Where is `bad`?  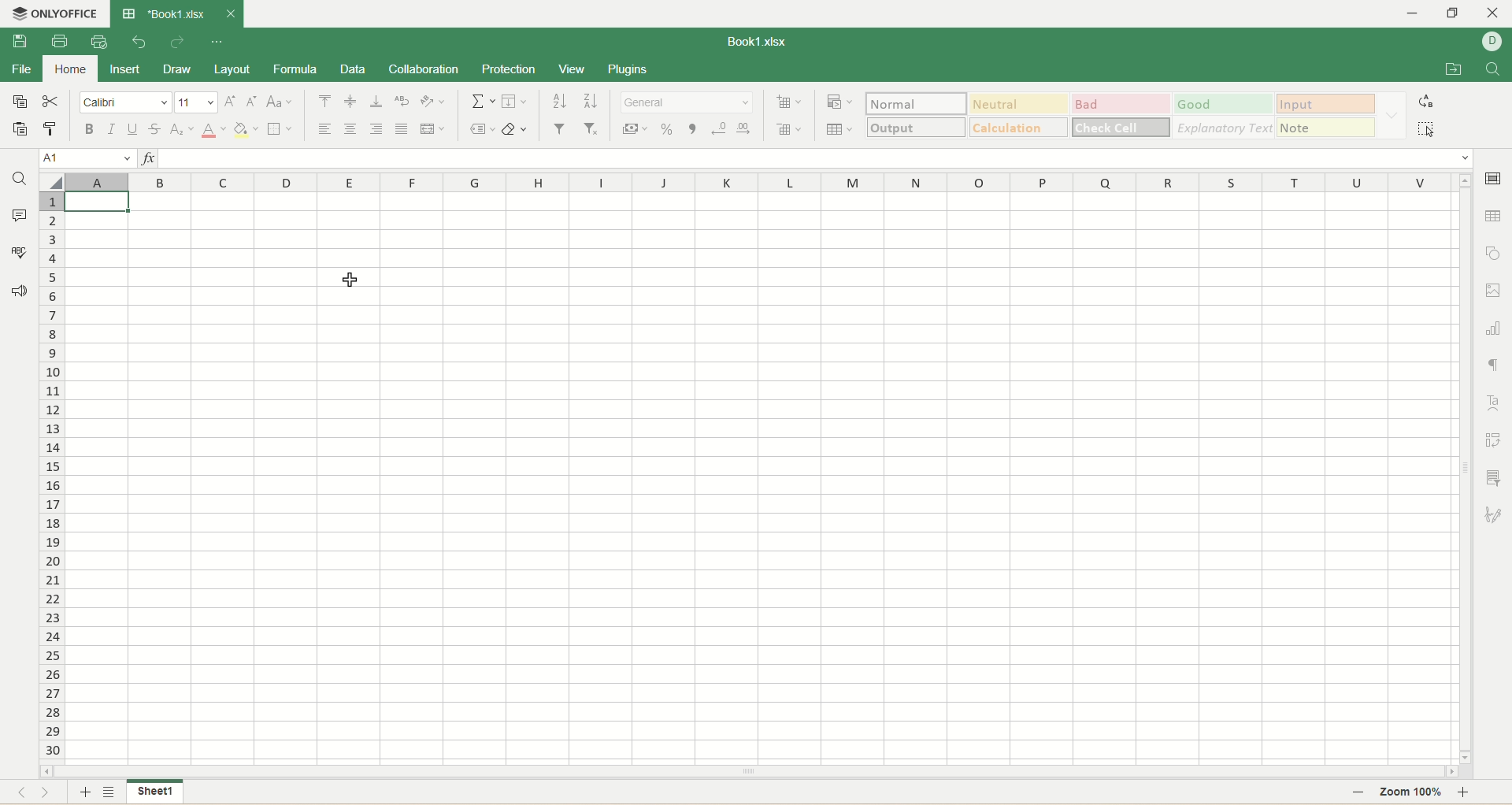 bad is located at coordinates (1121, 104).